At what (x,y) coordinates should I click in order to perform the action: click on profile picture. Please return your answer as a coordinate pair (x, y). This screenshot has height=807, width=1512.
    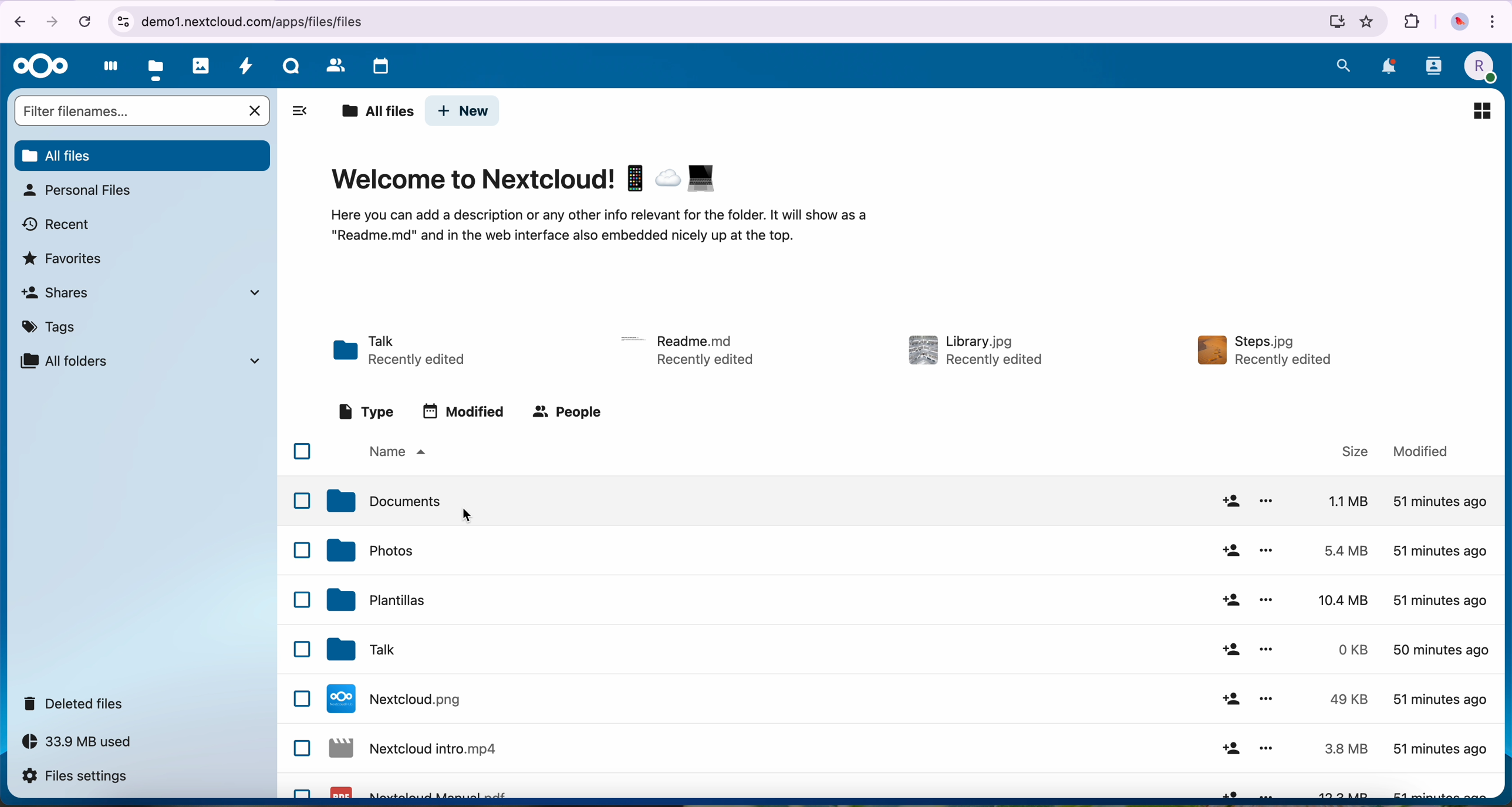
    Looking at the image, I should click on (1458, 22).